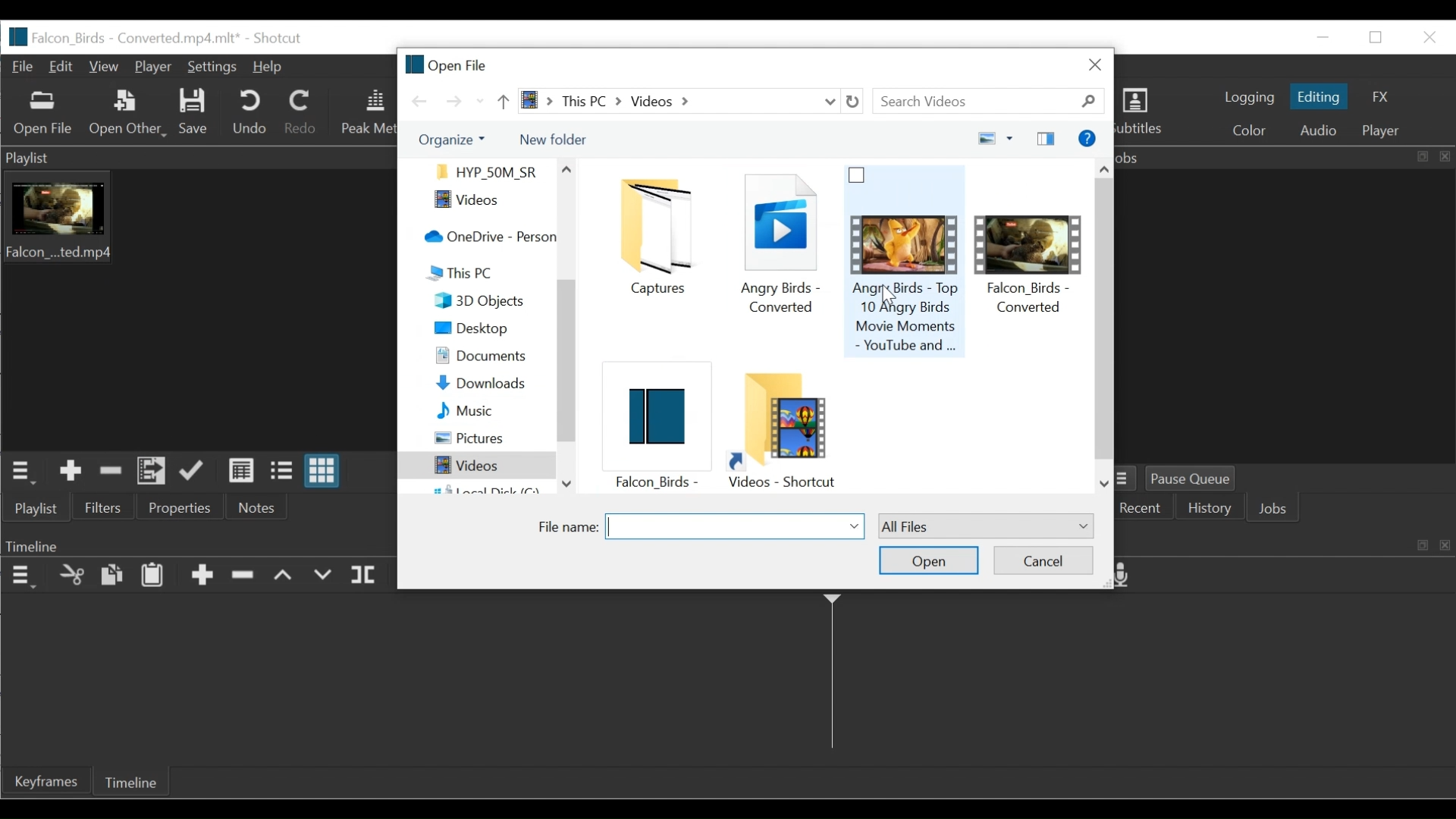 This screenshot has height=819, width=1456. I want to click on Help, so click(267, 68).